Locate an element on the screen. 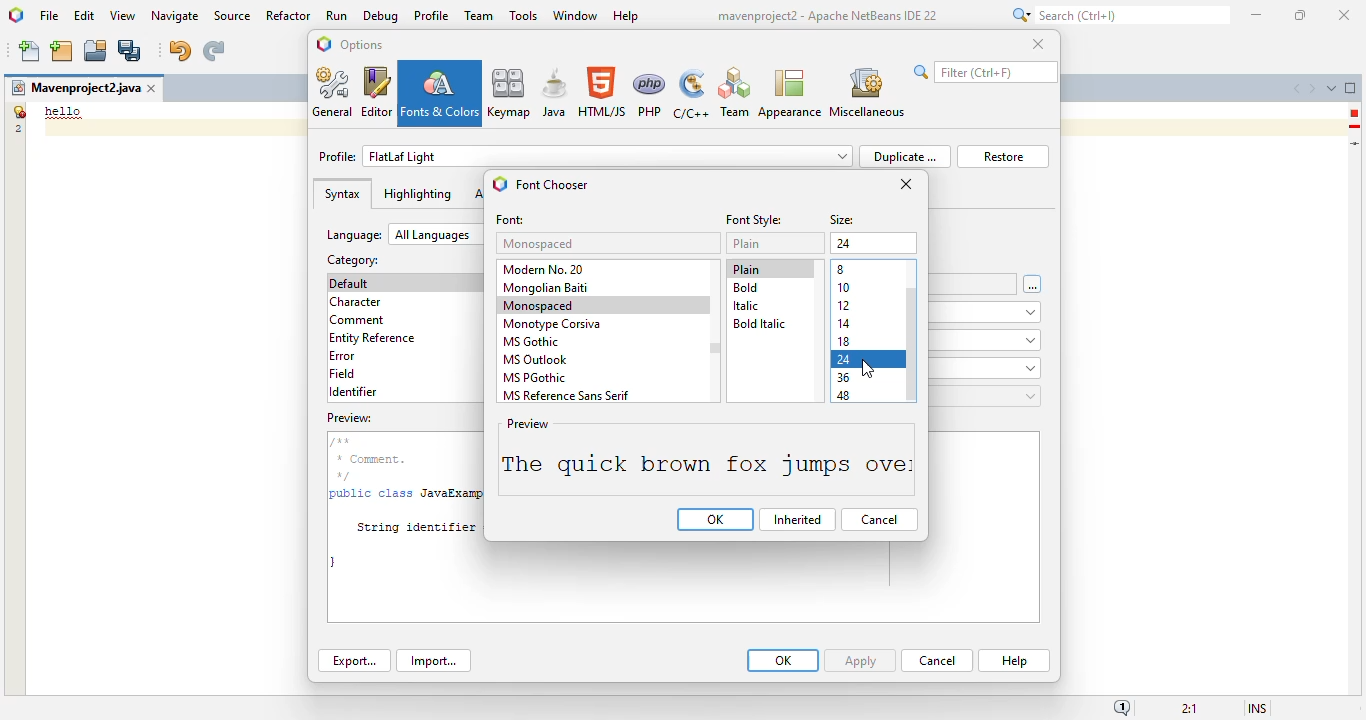 The width and height of the screenshot is (1366, 720). save all is located at coordinates (130, 51).